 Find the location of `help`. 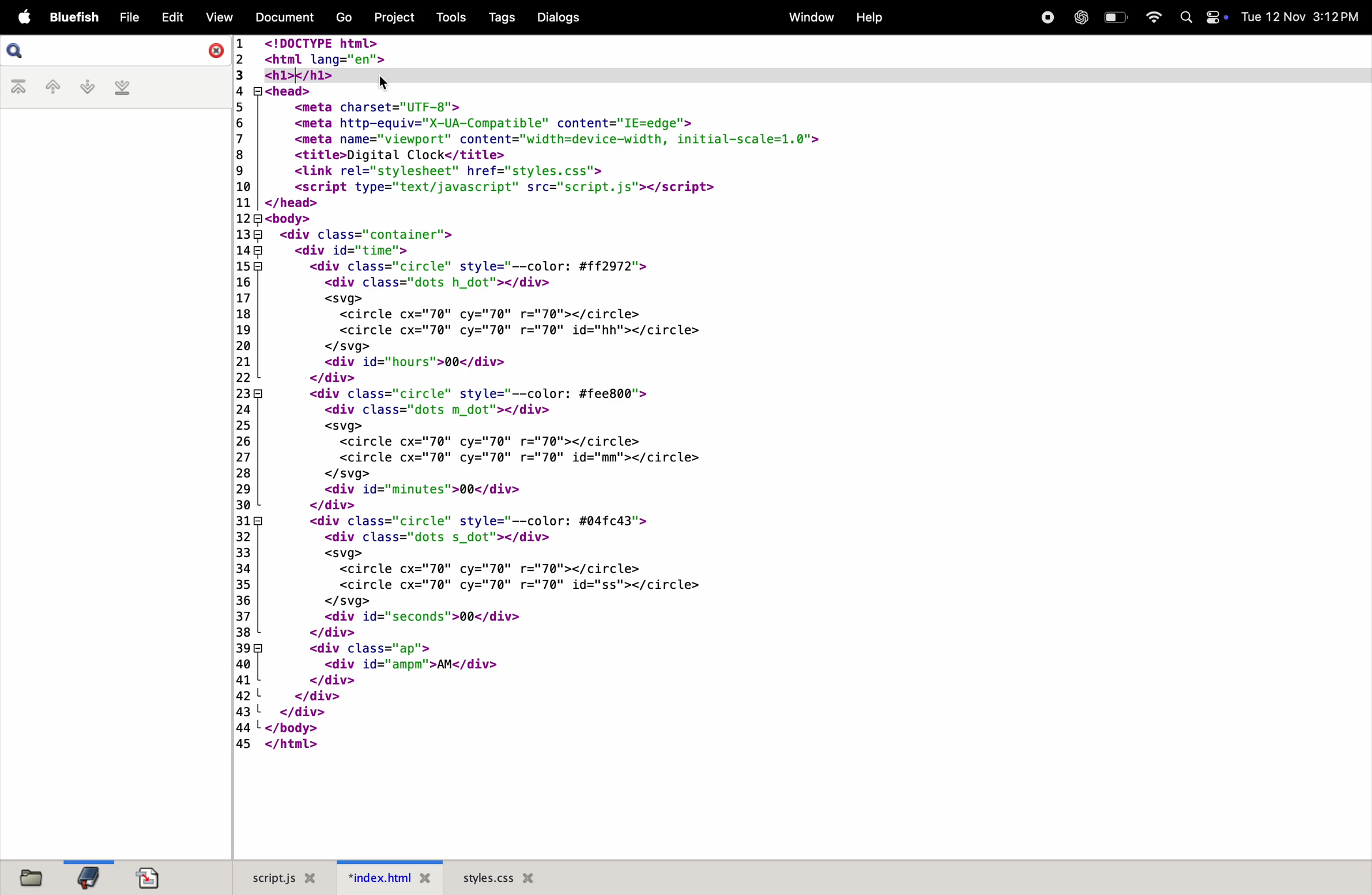

help is located at coordinates (868, 18).